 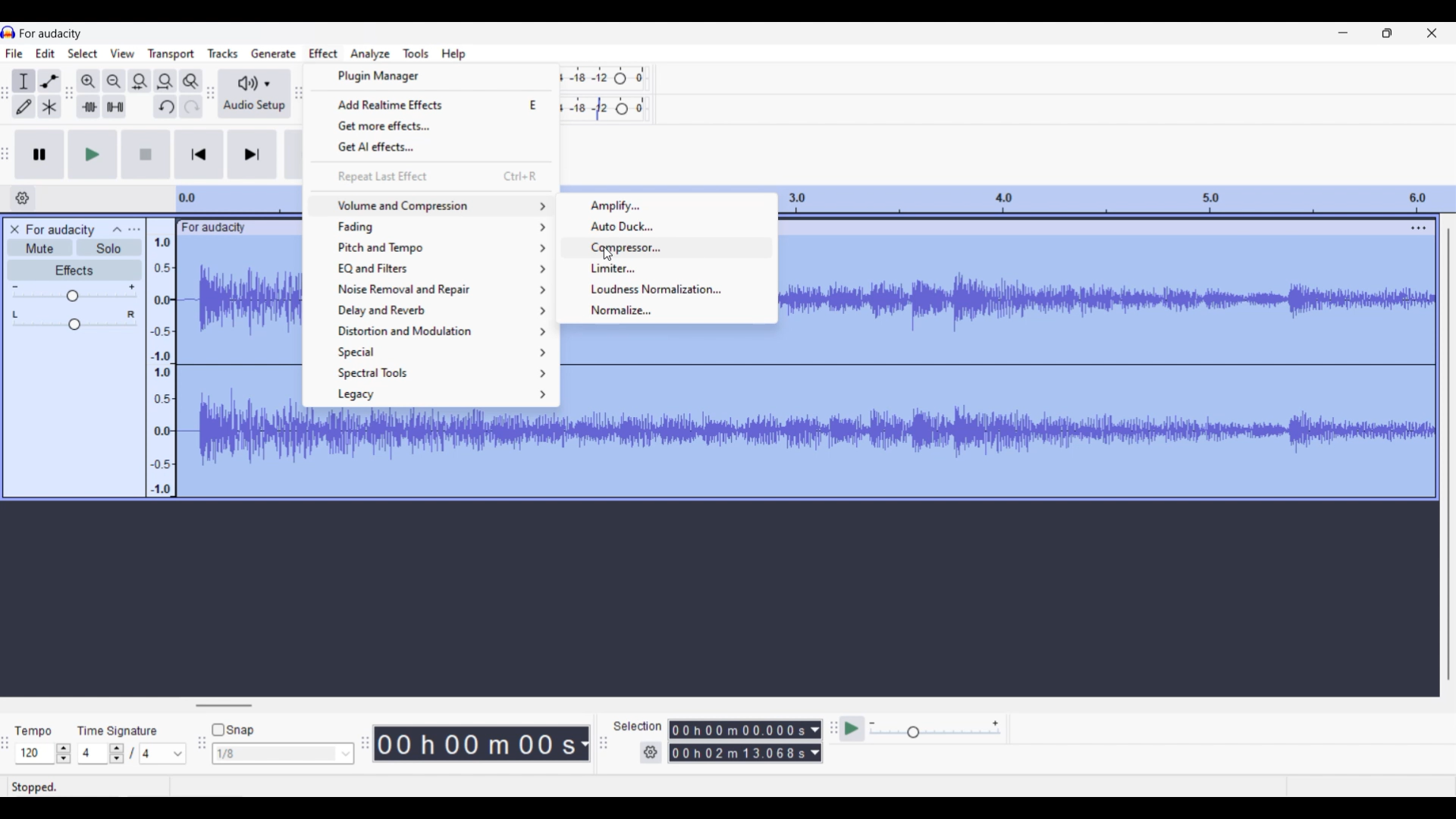 What do you see at coordinates (111, 247) in the screenshot?
I see `Solo` at bounding box center [111, 247].